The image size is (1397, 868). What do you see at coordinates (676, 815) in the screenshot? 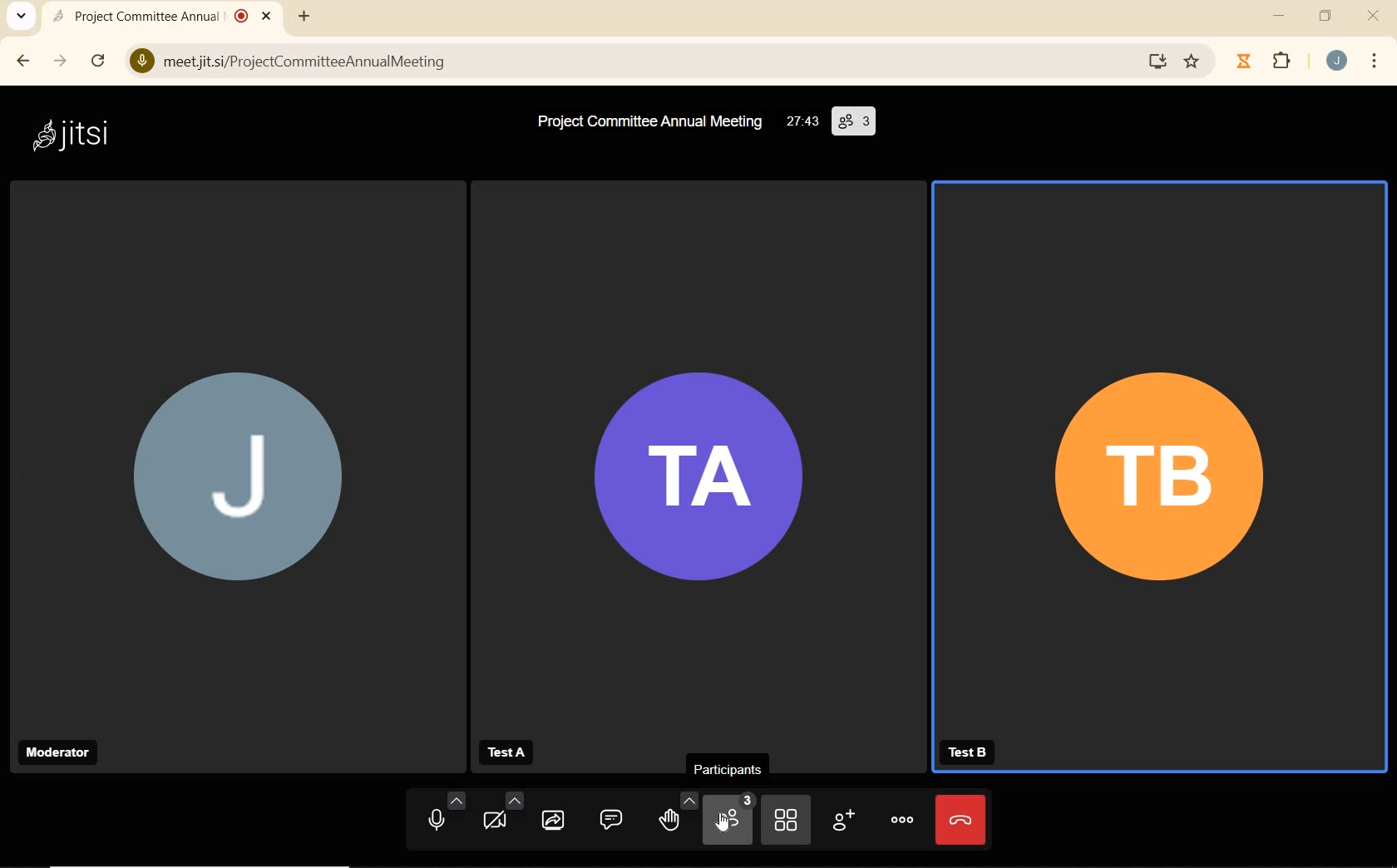
I see `RAISE YOUR HAND` at bounding box center [676, 815].